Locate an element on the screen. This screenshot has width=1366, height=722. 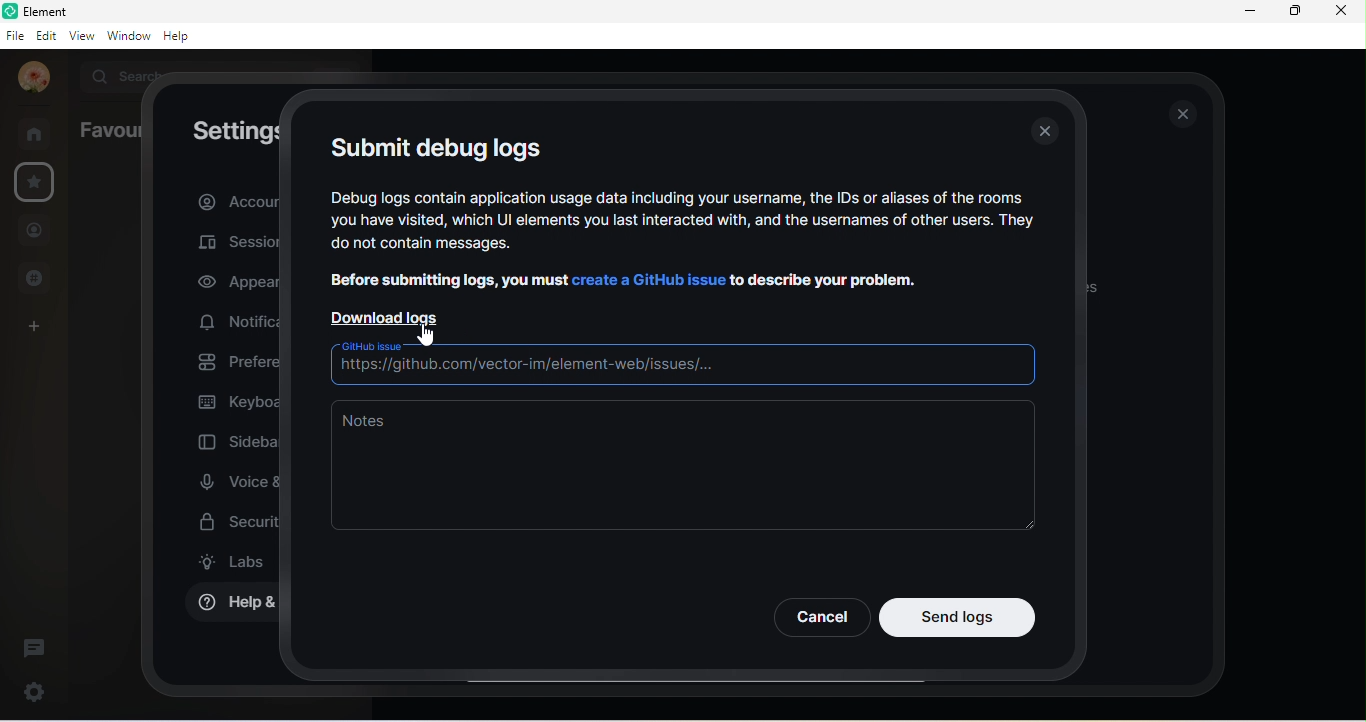
public room is located at coordinates (33, 278).